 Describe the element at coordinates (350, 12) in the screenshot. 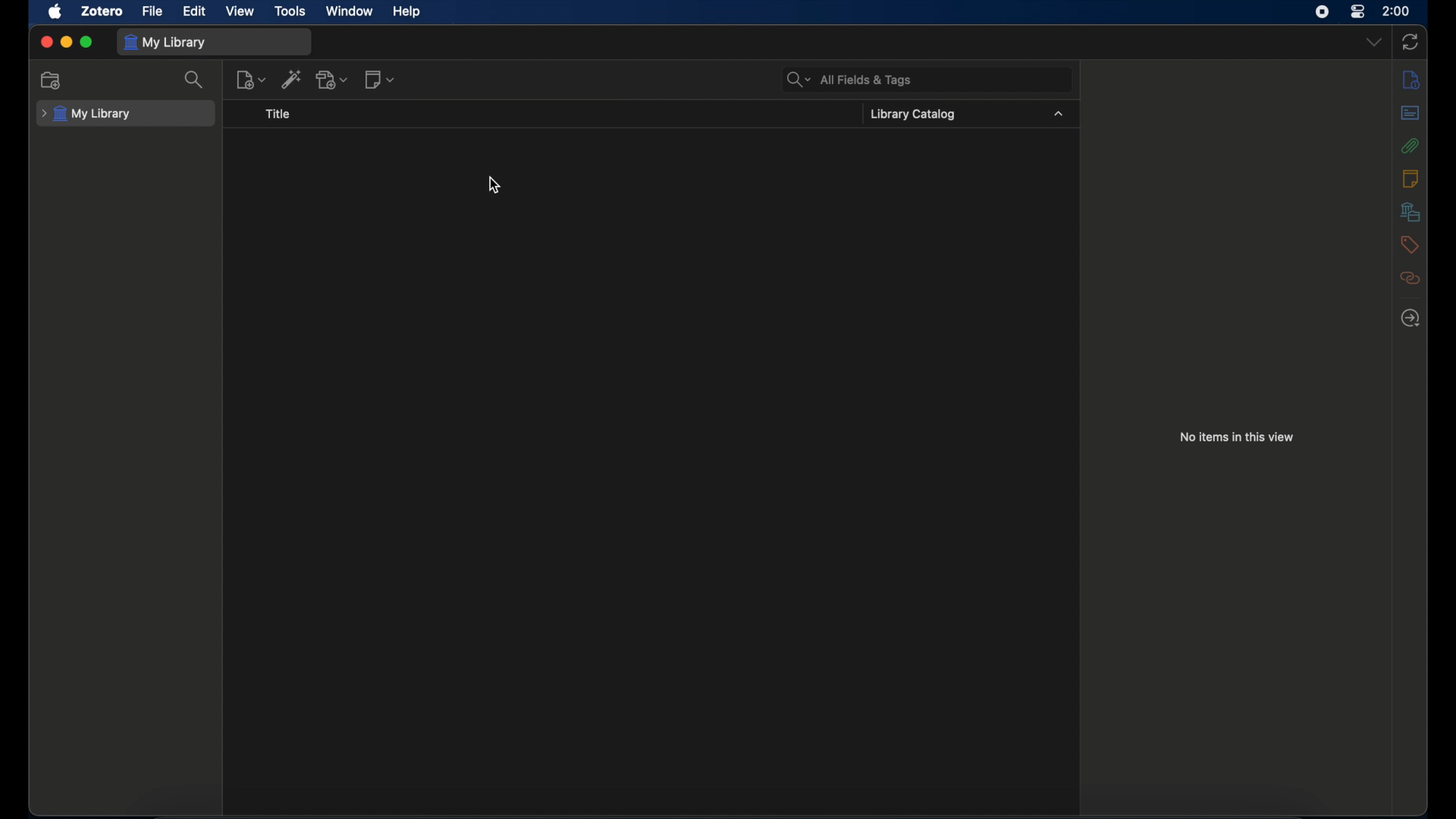

I see `window` at that location.